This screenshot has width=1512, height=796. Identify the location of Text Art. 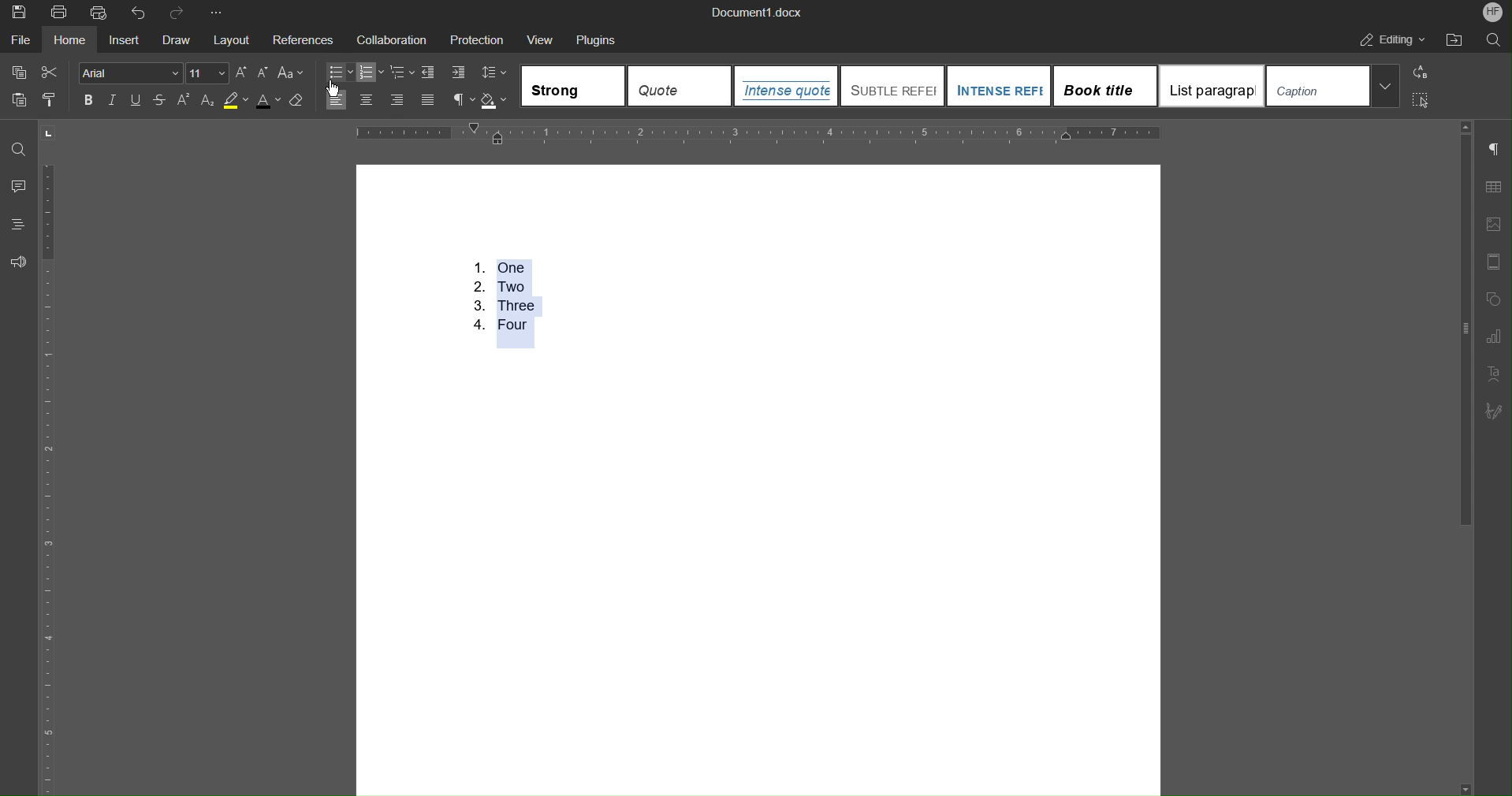
(1493, 375).